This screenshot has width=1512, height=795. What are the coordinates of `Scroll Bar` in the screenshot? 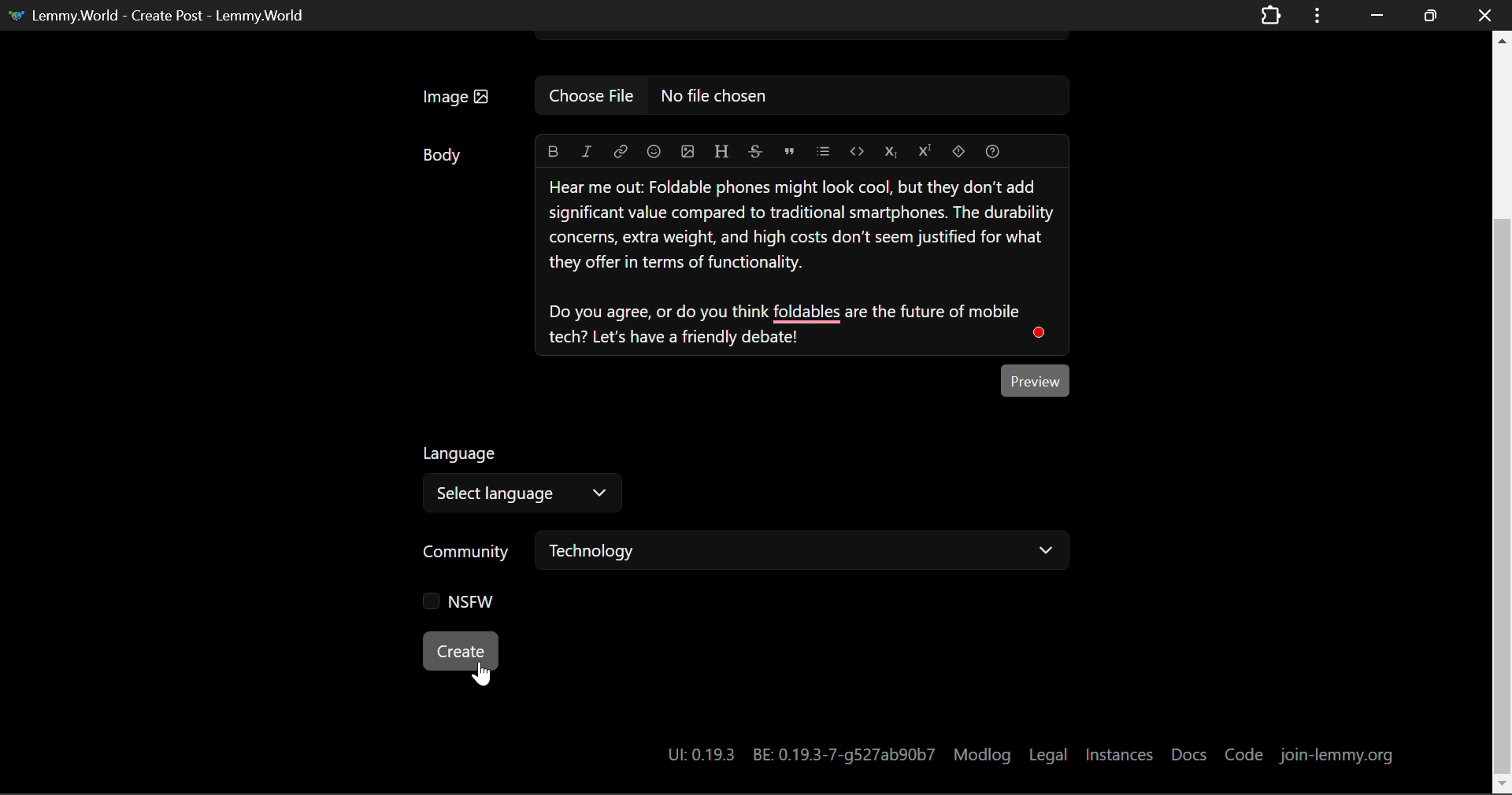 It's located at (1503, 409).